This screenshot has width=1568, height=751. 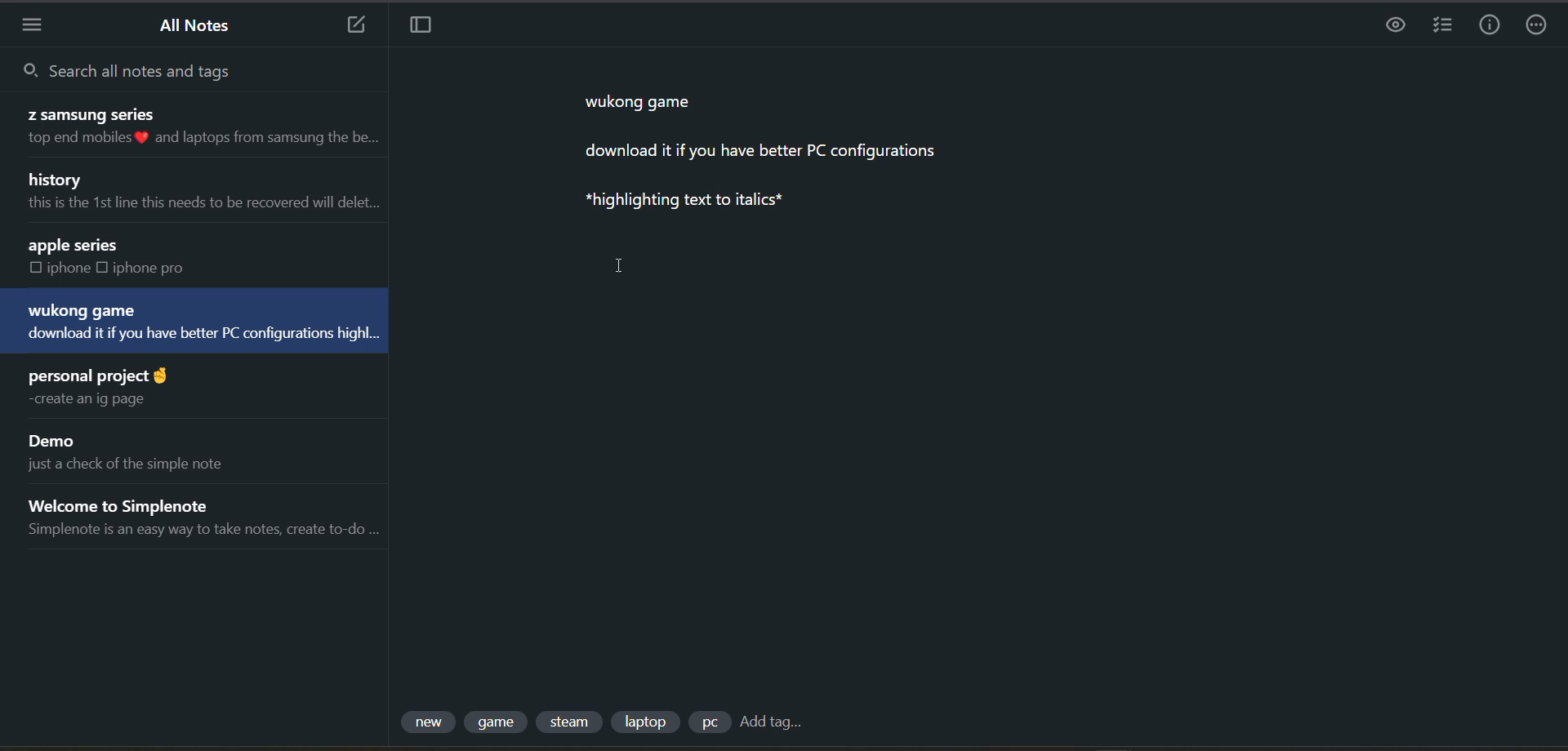 I want to click on search all notes and tags, so click(x=167, y=72).